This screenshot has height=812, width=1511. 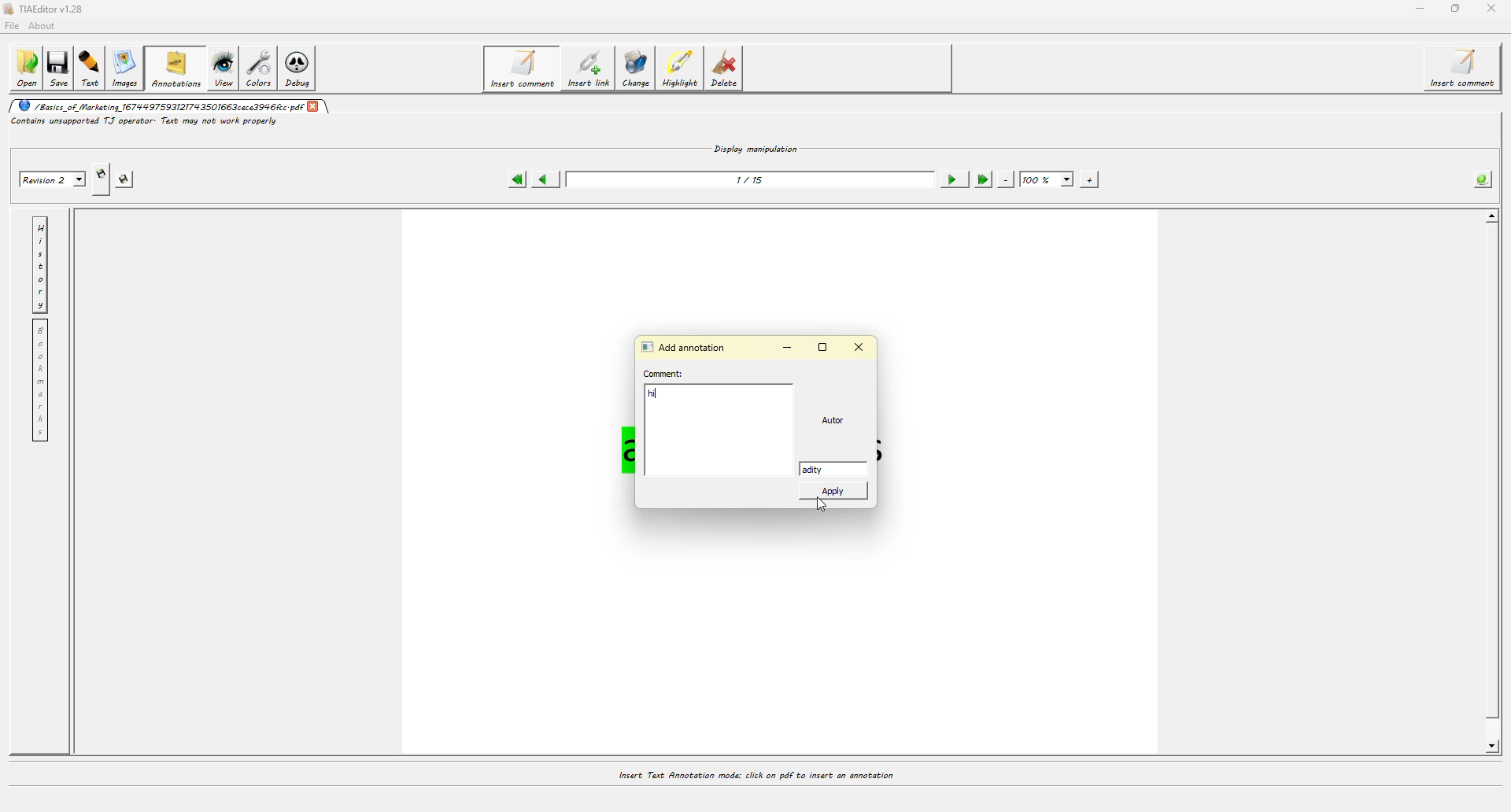 What do you see at coordinates (839, 491) in the screenshot?
I see `apply` at bounding box center [839, 491].